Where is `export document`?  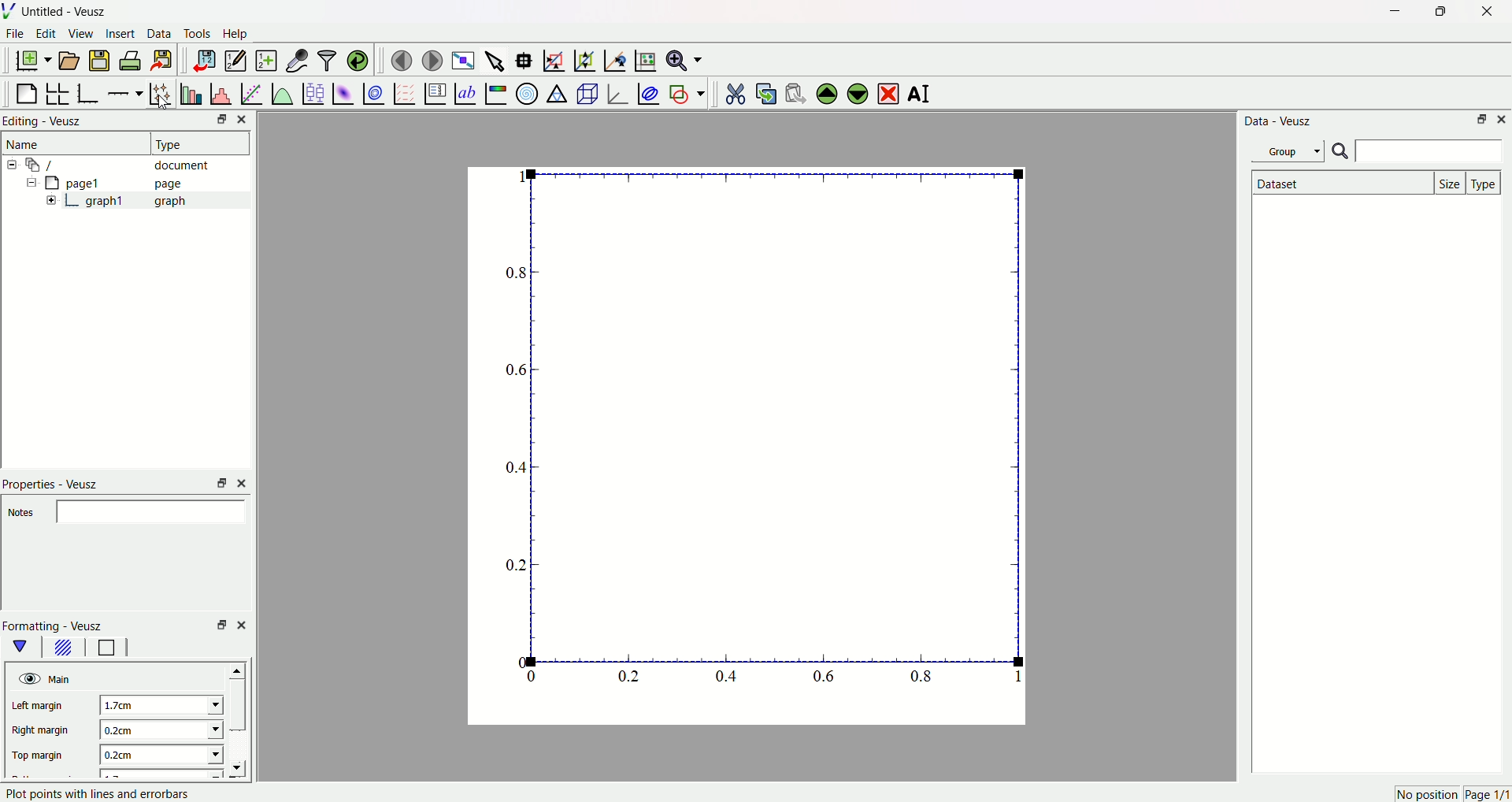
export document is located at coordinates (169, 60).